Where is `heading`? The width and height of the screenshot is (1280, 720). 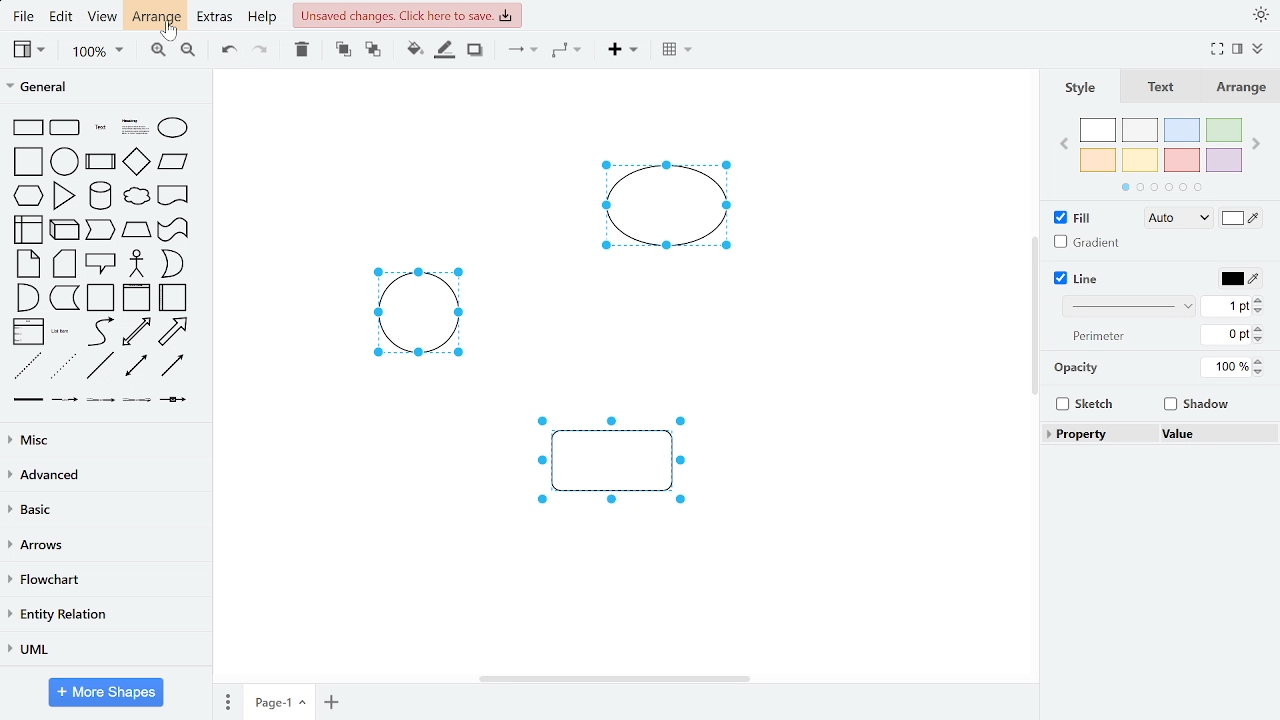
heading is located at coordinates (134, 128).